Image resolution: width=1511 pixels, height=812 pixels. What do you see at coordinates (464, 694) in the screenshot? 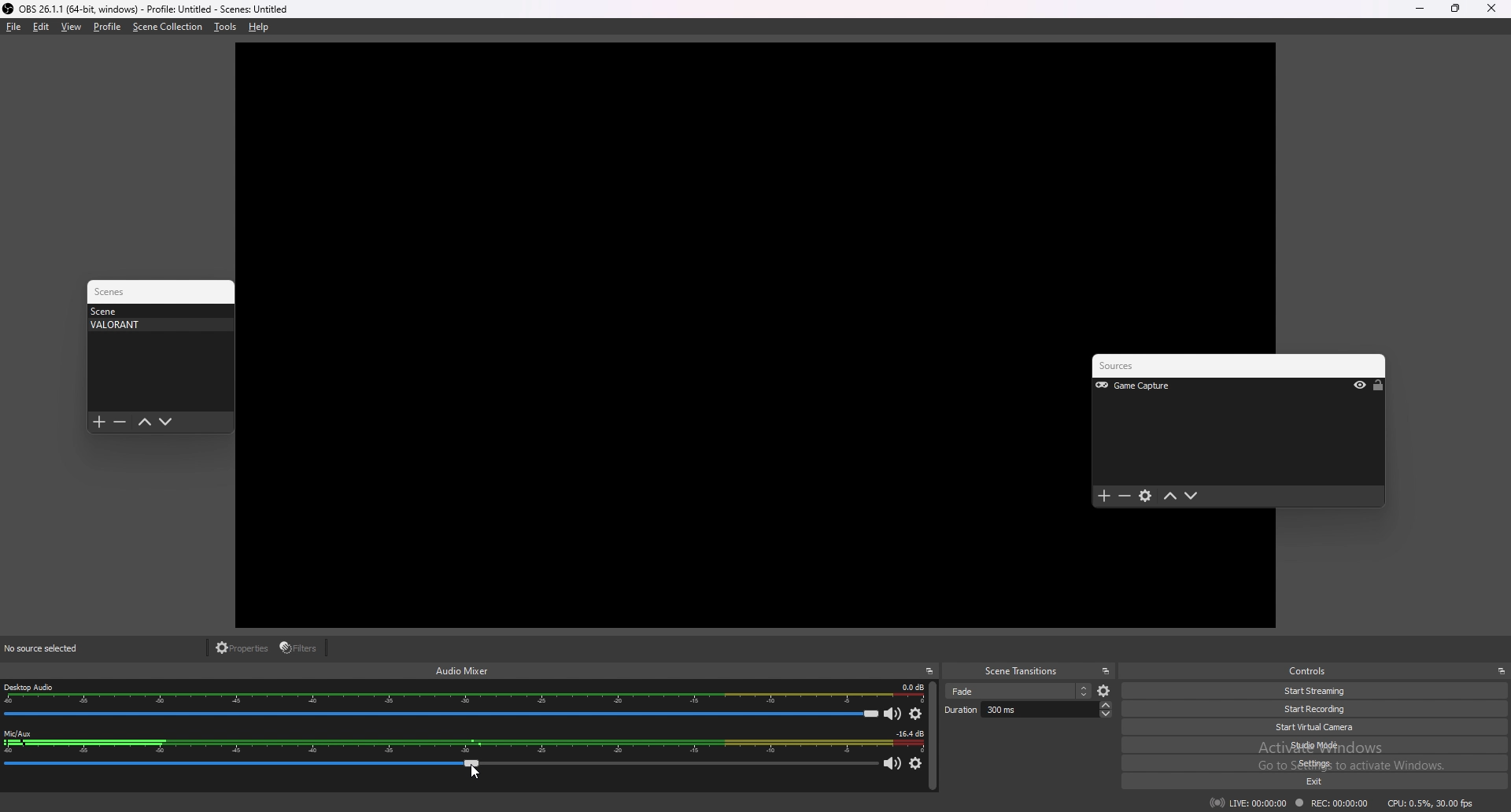
I see `desktop audio` at bounding box center [464, 694].